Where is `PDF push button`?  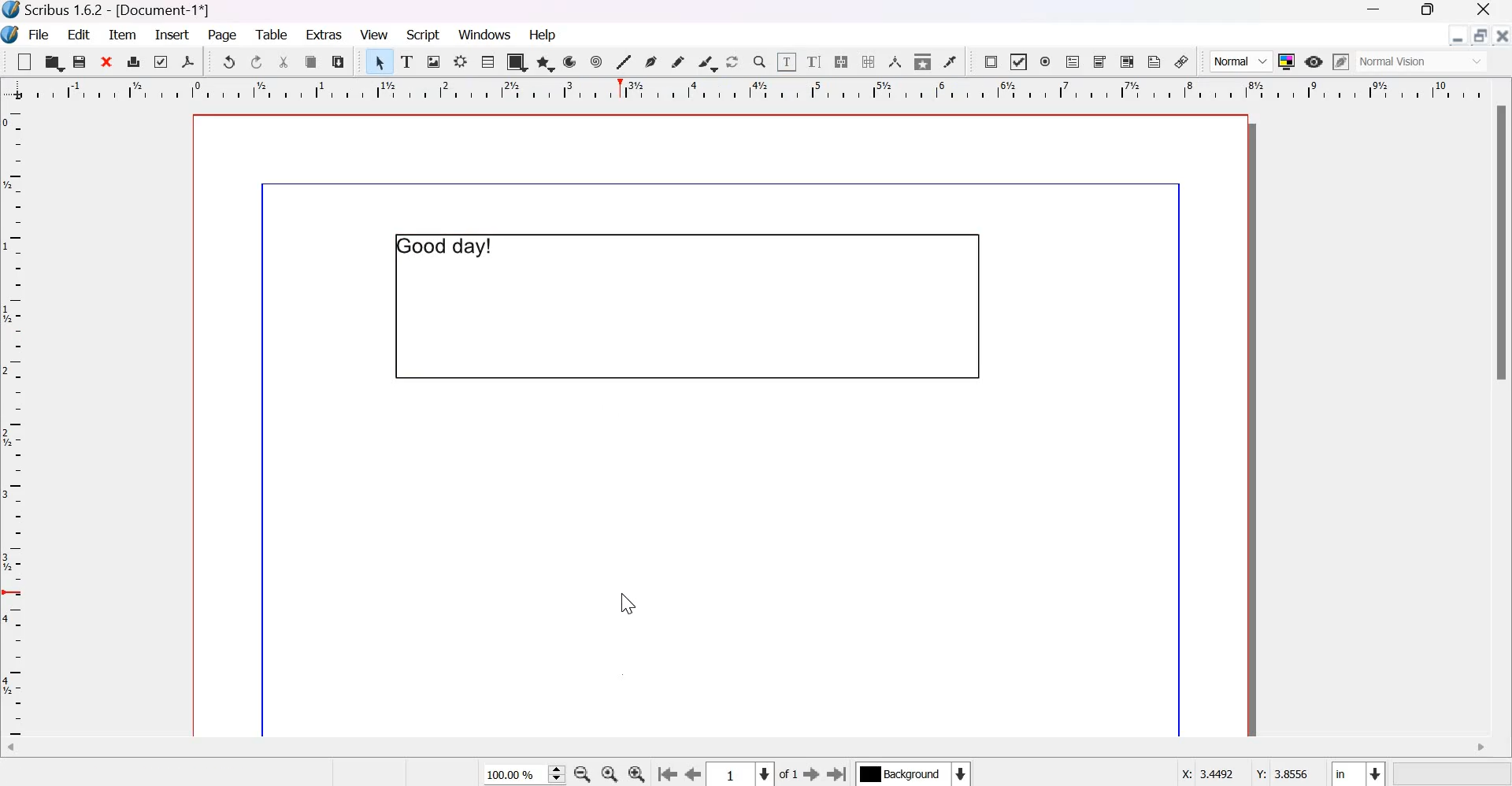 PDF push button is located at coordinates (991, 62).